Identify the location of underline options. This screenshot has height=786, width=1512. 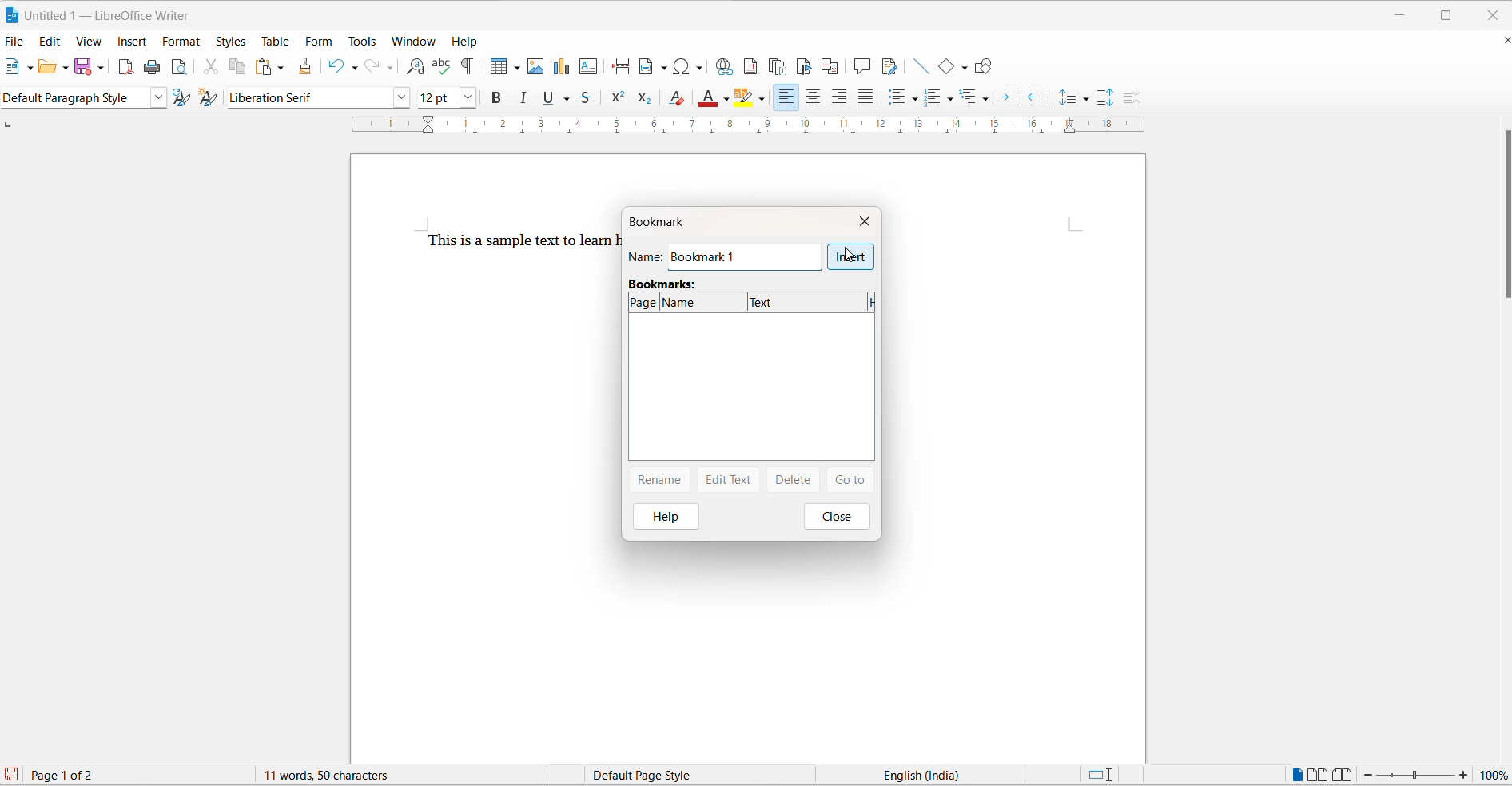
(571, 99).